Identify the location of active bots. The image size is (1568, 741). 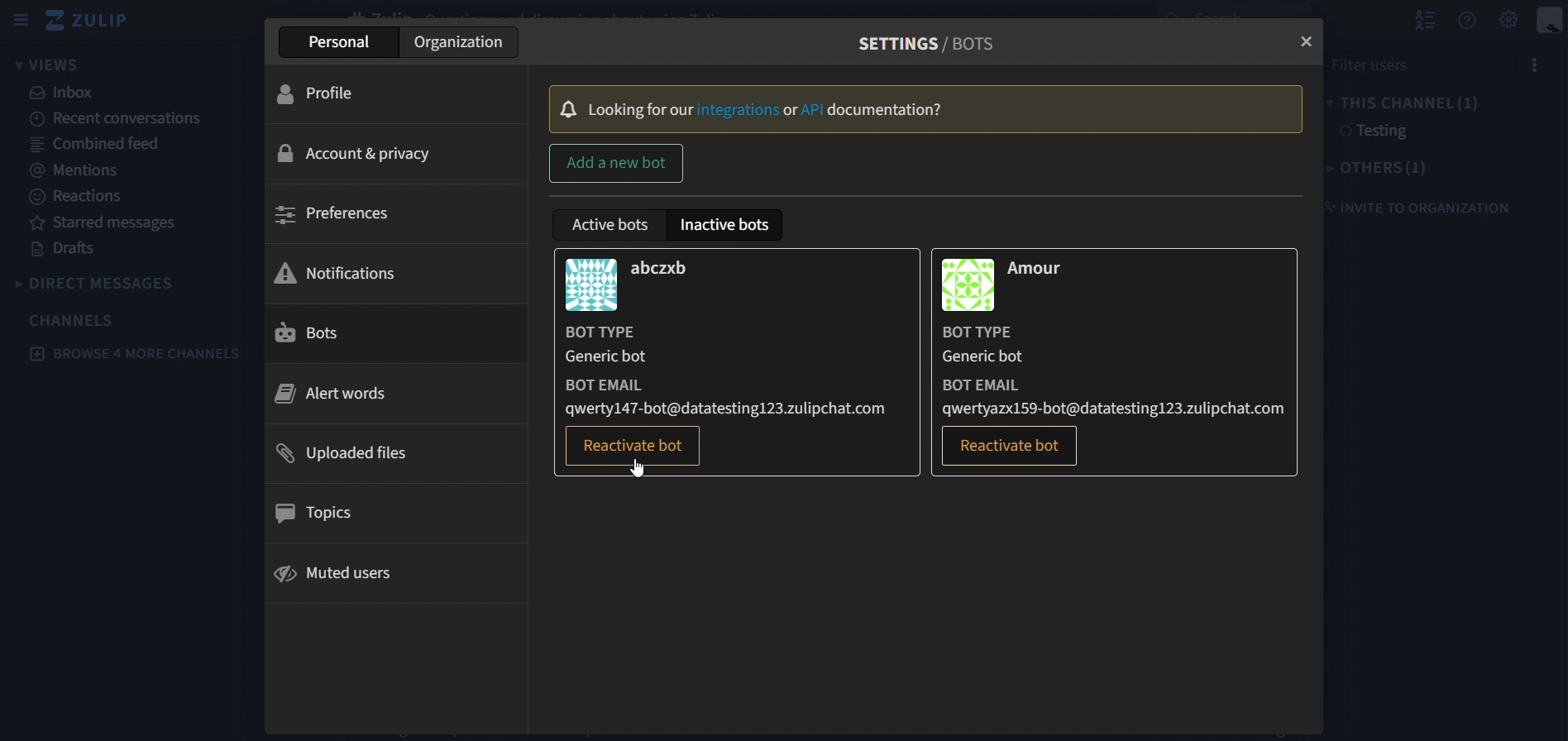
(605, 227).